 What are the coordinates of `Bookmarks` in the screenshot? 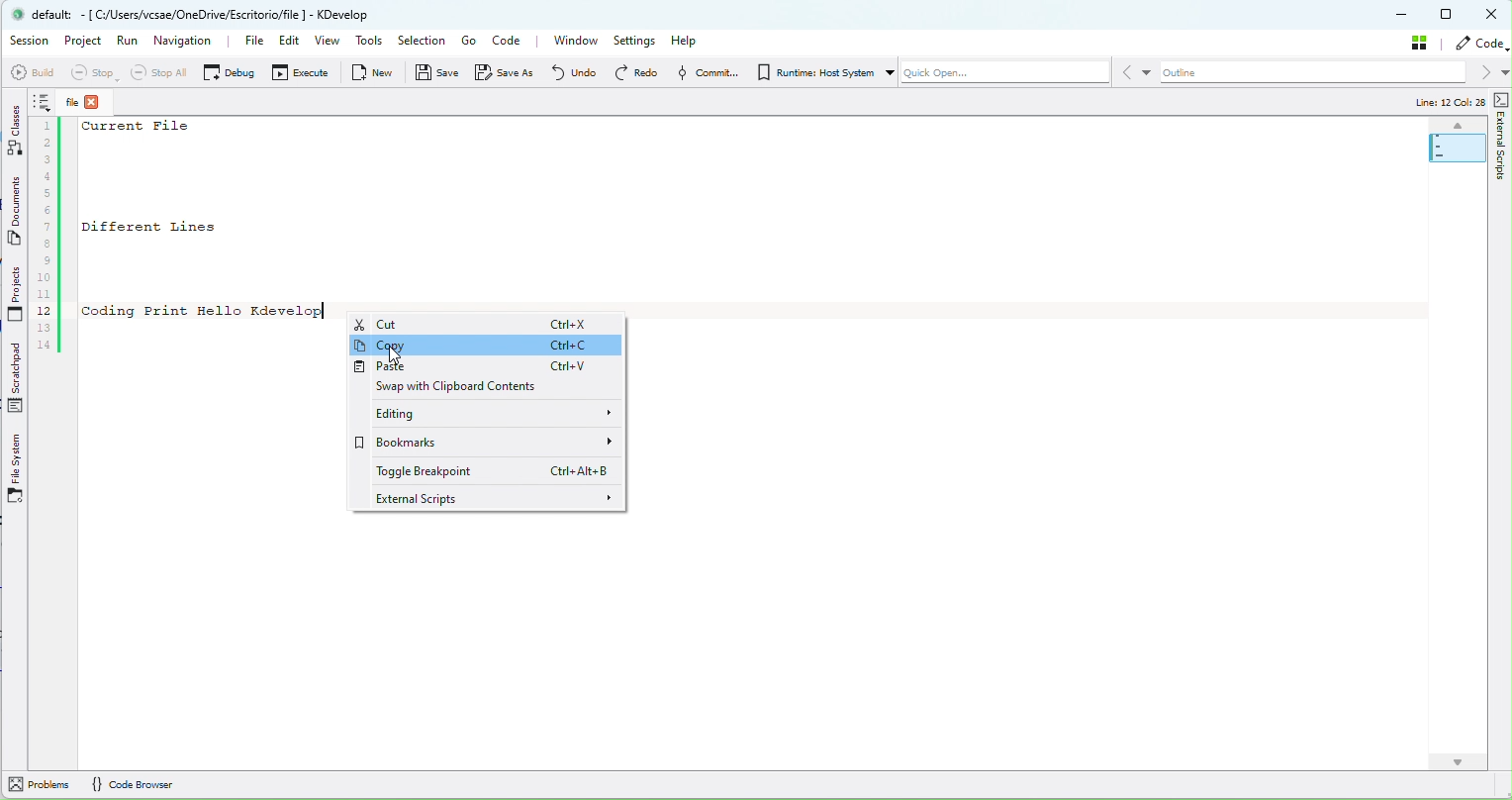 It's located at (487, 439).